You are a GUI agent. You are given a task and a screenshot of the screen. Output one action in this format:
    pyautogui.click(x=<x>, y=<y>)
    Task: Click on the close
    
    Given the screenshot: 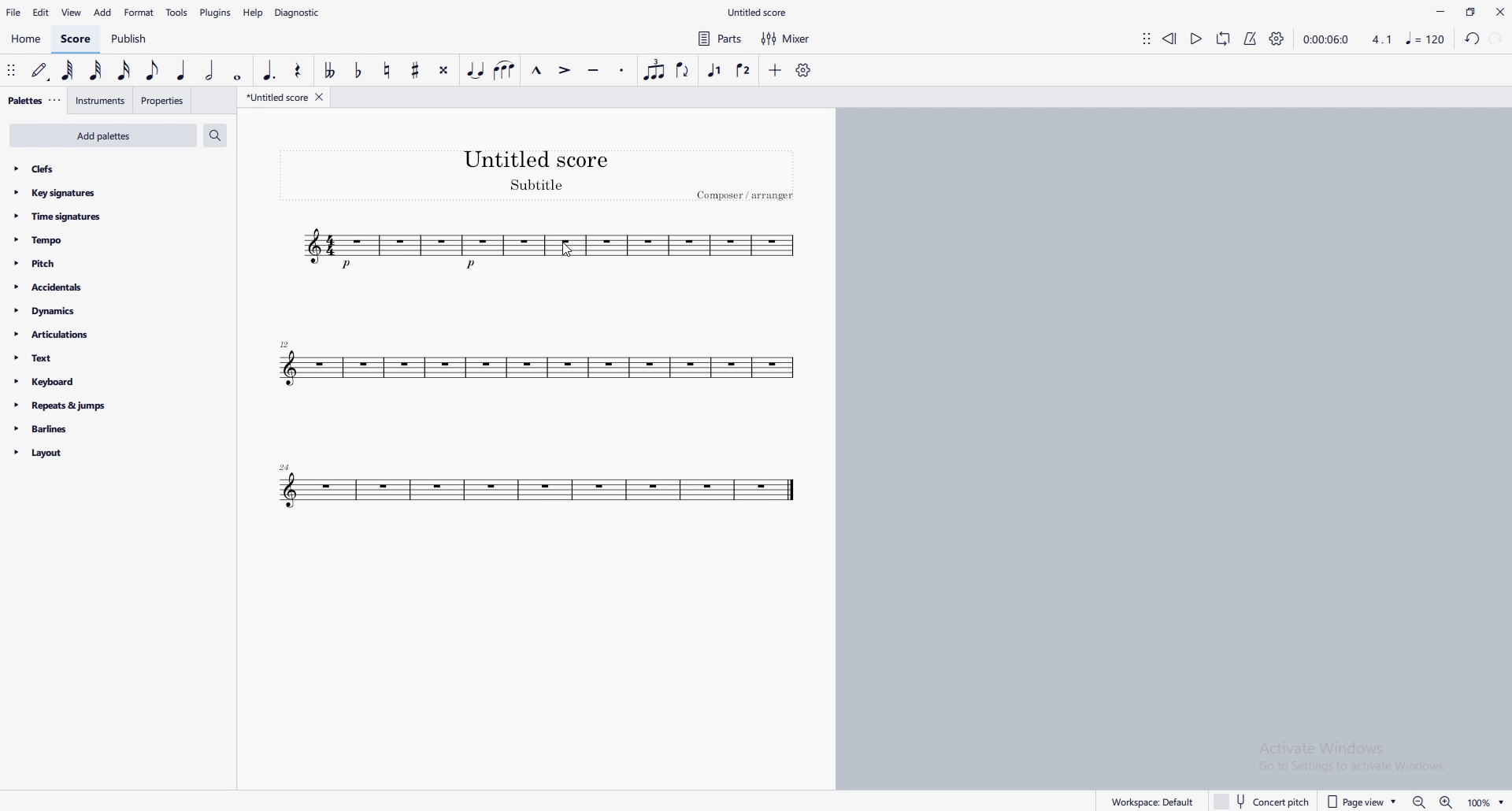 What is the action you would take?
    pyautogui.click(x=1500, y=12)
    